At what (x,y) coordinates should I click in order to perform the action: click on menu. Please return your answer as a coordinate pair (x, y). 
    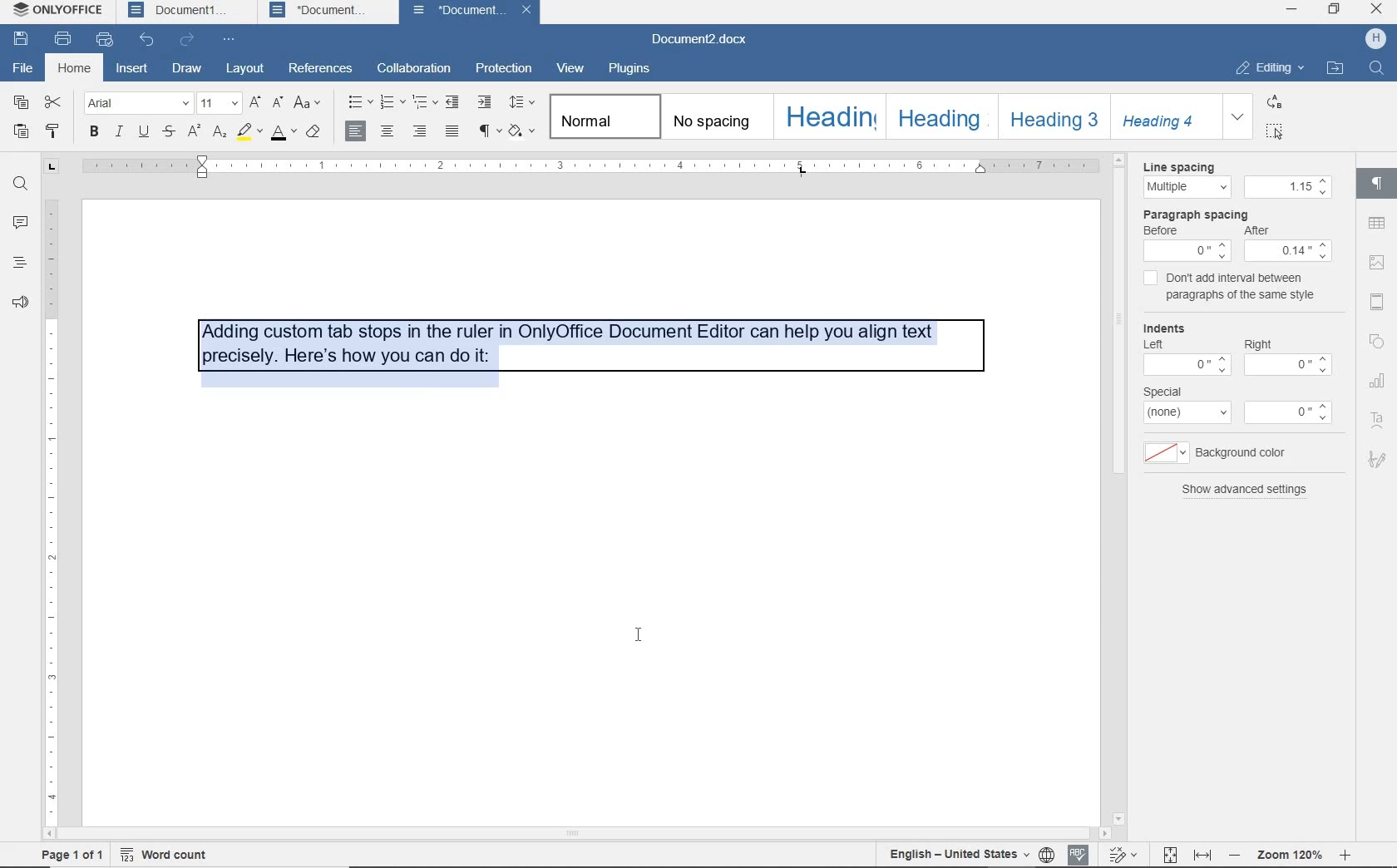
    Looking at the image, I should click on (1287, 186).